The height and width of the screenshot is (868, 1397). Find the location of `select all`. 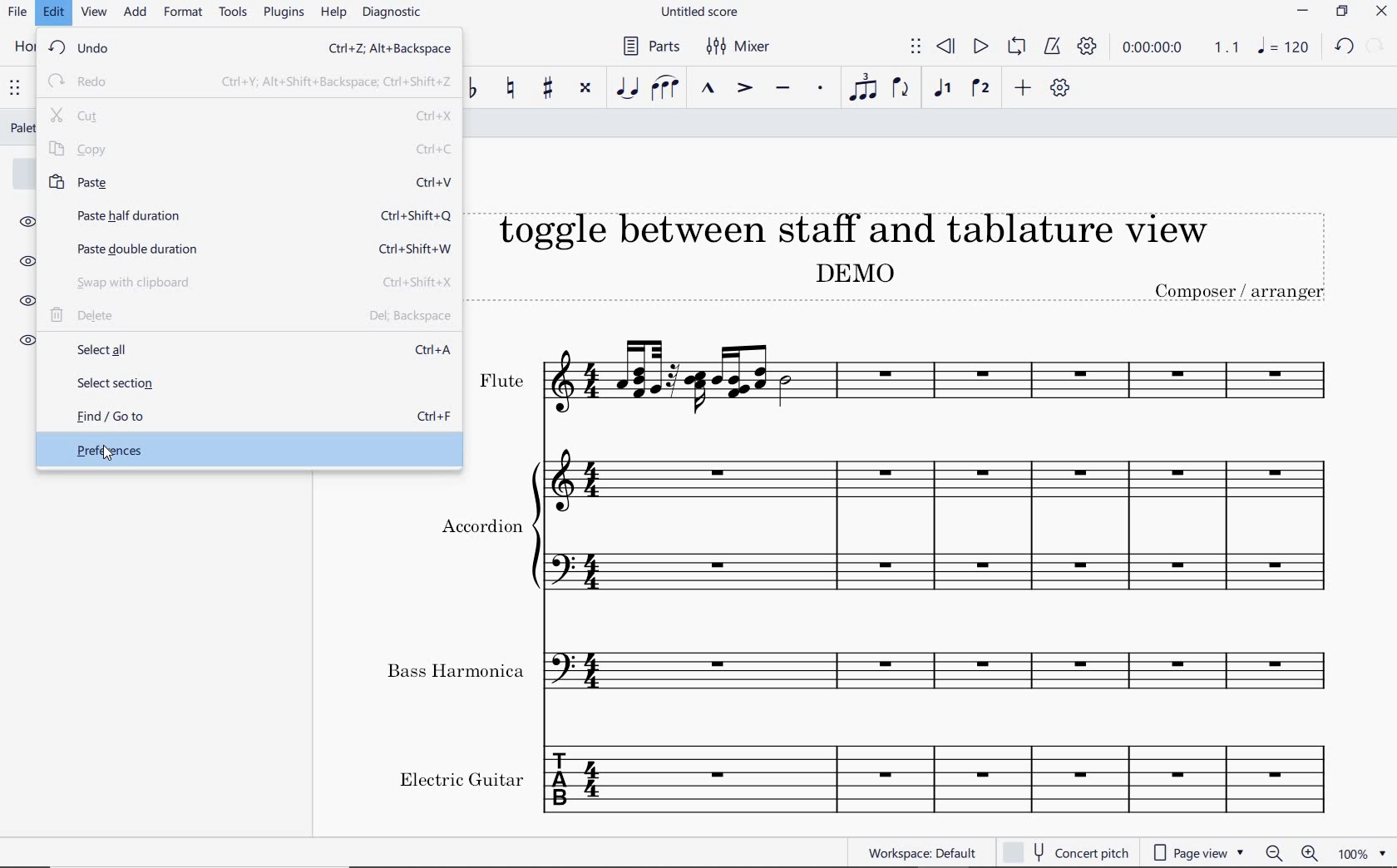

select all is located at coordinates (248, 350).